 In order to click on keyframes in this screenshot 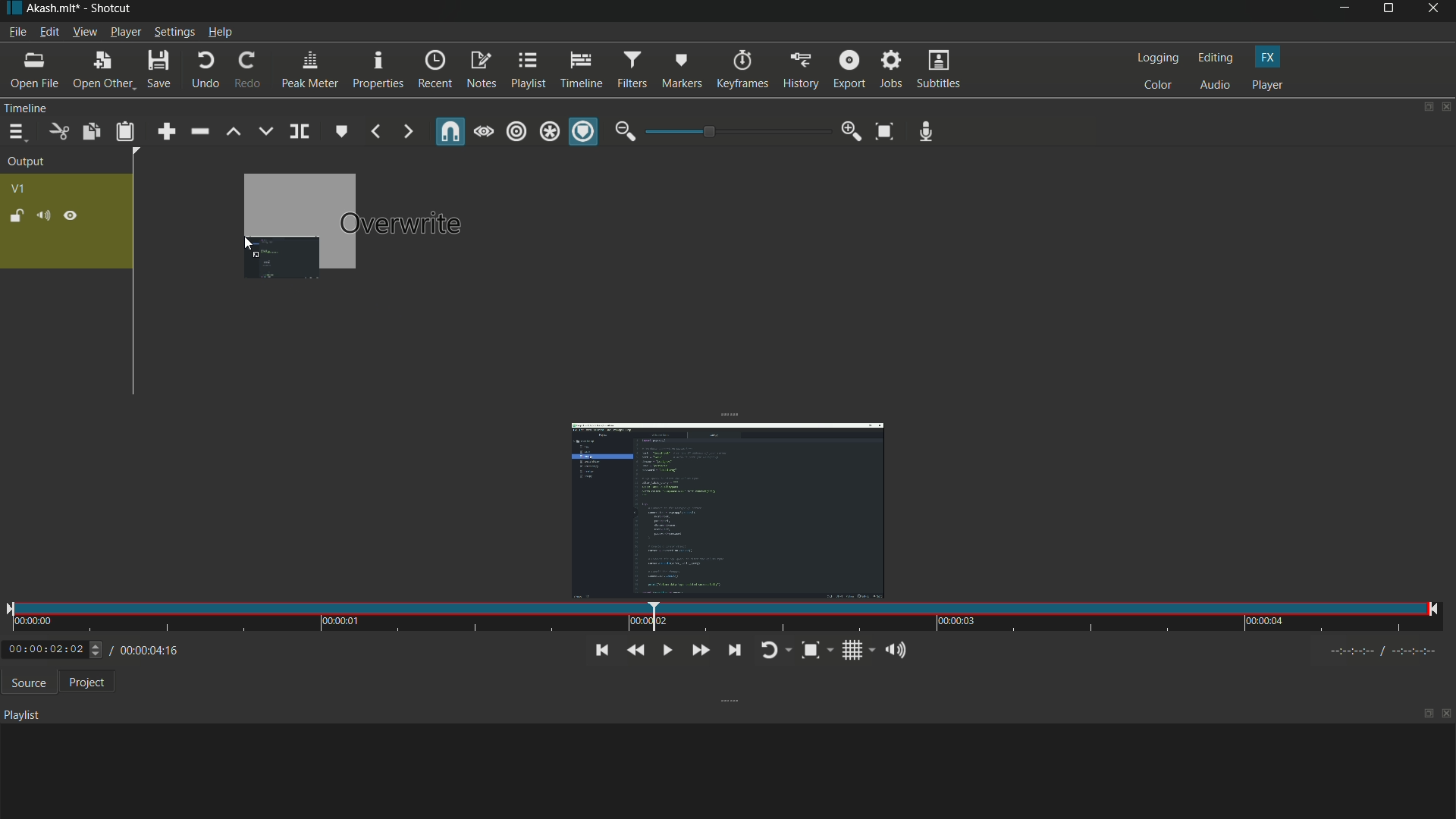, I will do `click(741, 70)`.